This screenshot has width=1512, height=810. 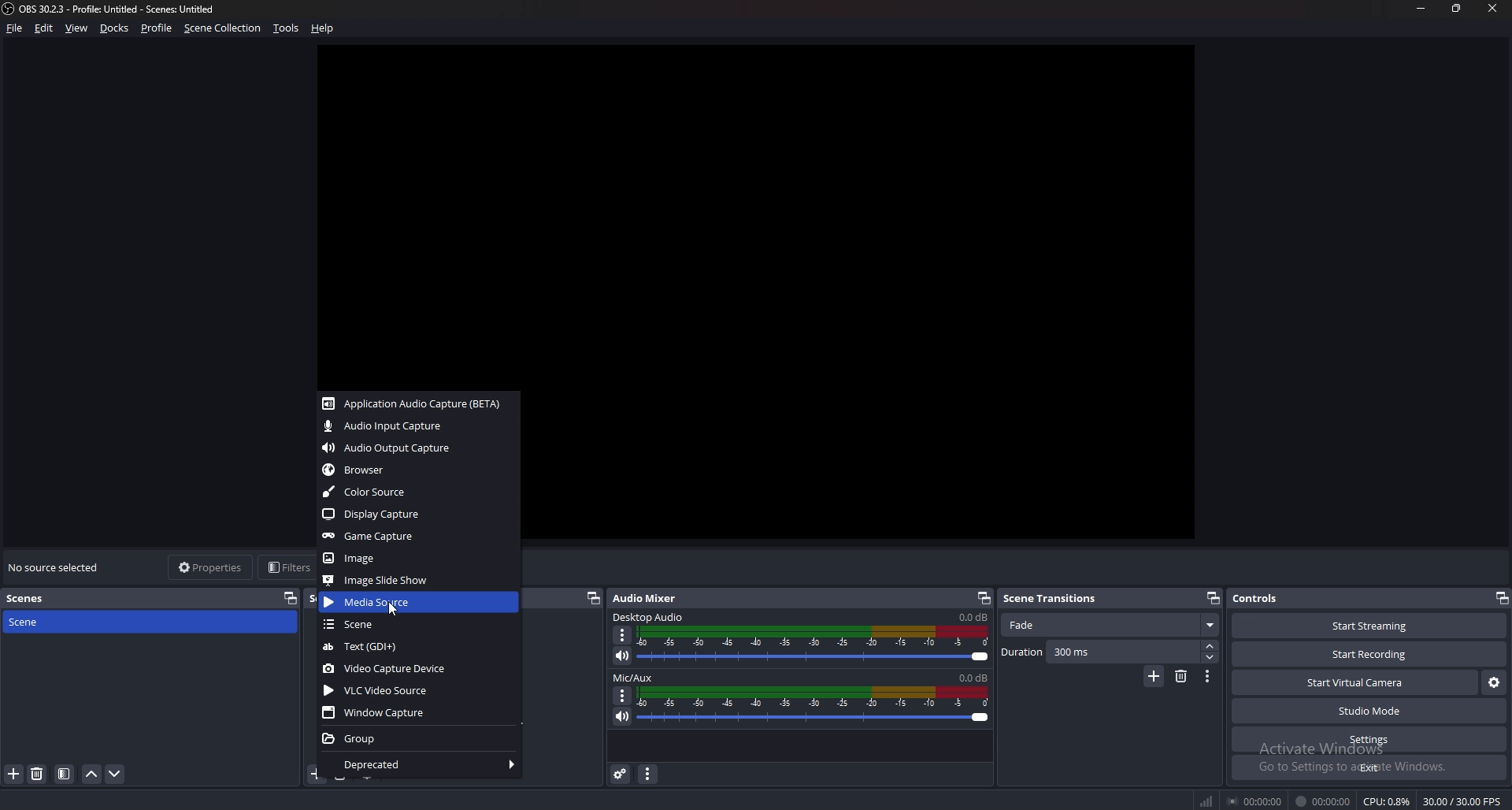 I want to click on Display capture, so click(x=417, y=514).